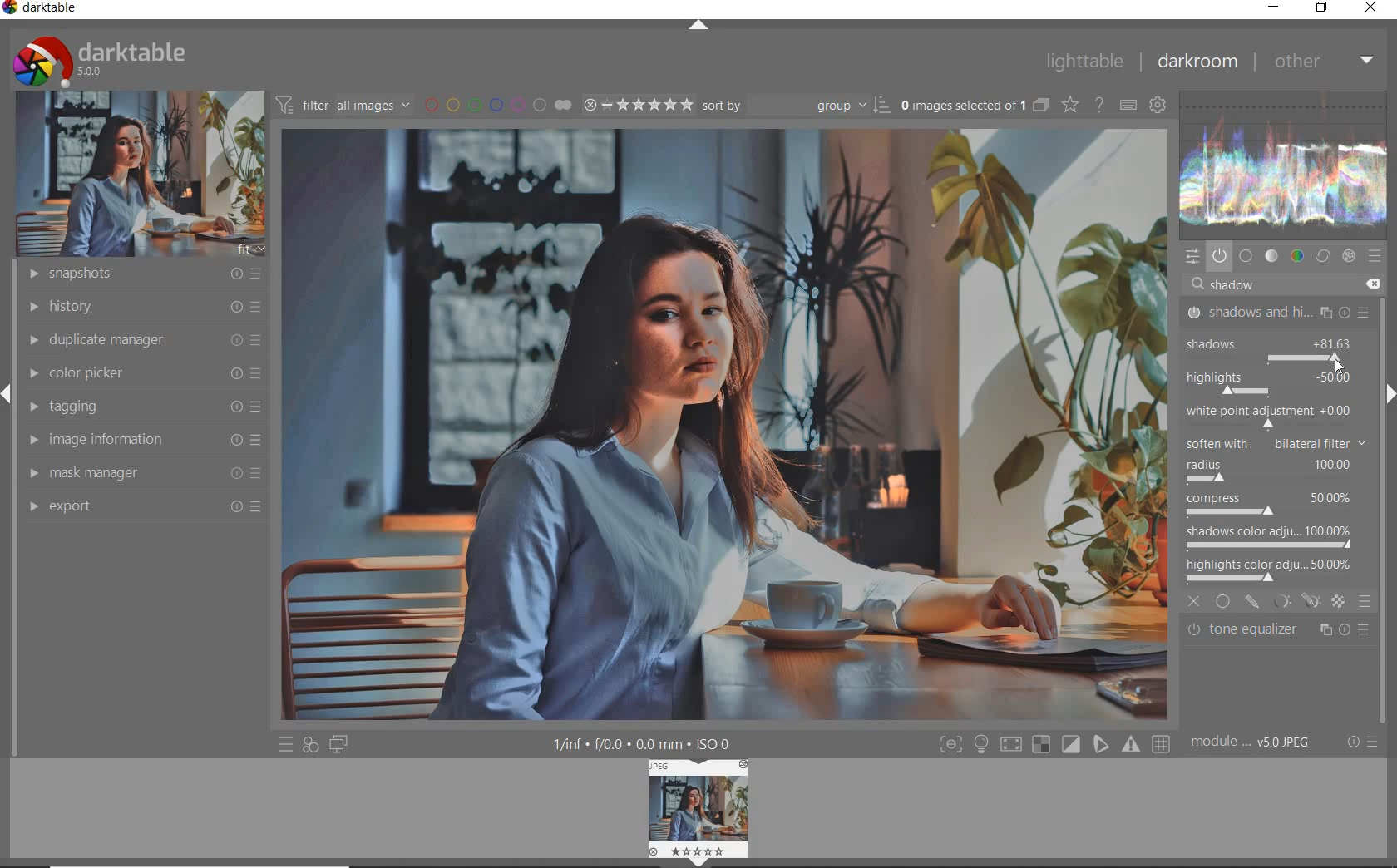 This screenshot has width=1397, height=868. I want to click on white point adjustment, so click(1267, 416).